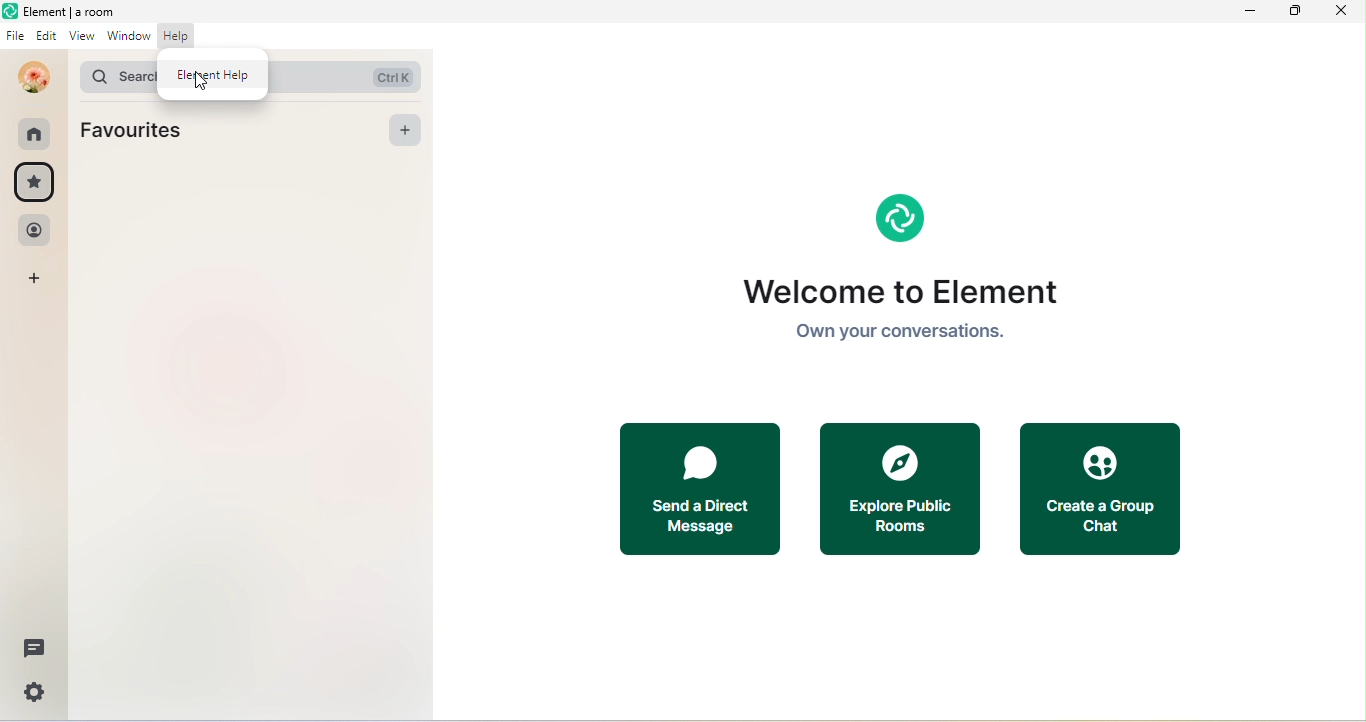 The width and height of the screenshot is (1366, 722). Describe the element at coordinates (36, 135) in the screenshot. I see `room` at that location.